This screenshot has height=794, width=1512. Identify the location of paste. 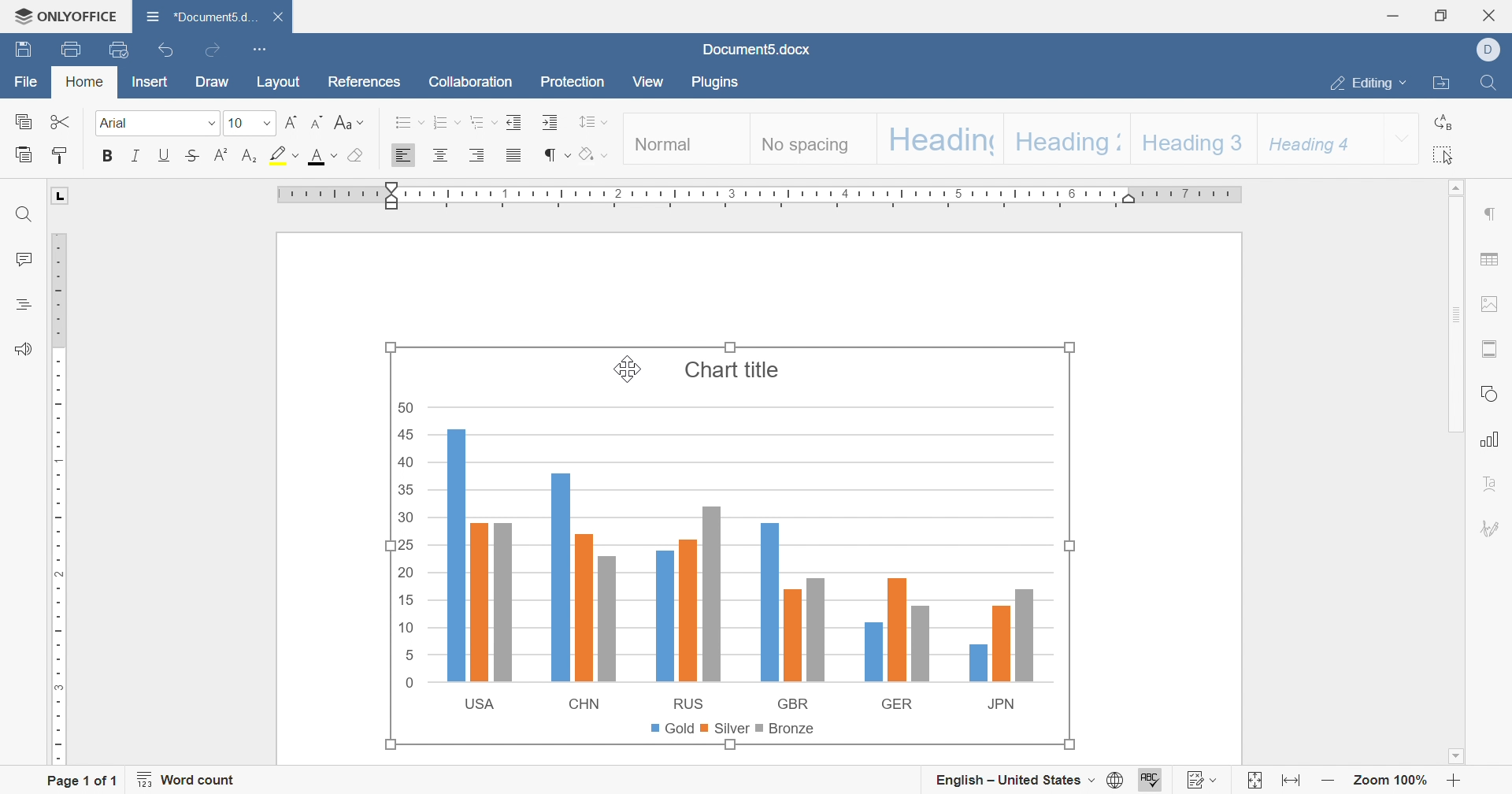
(23, 154).